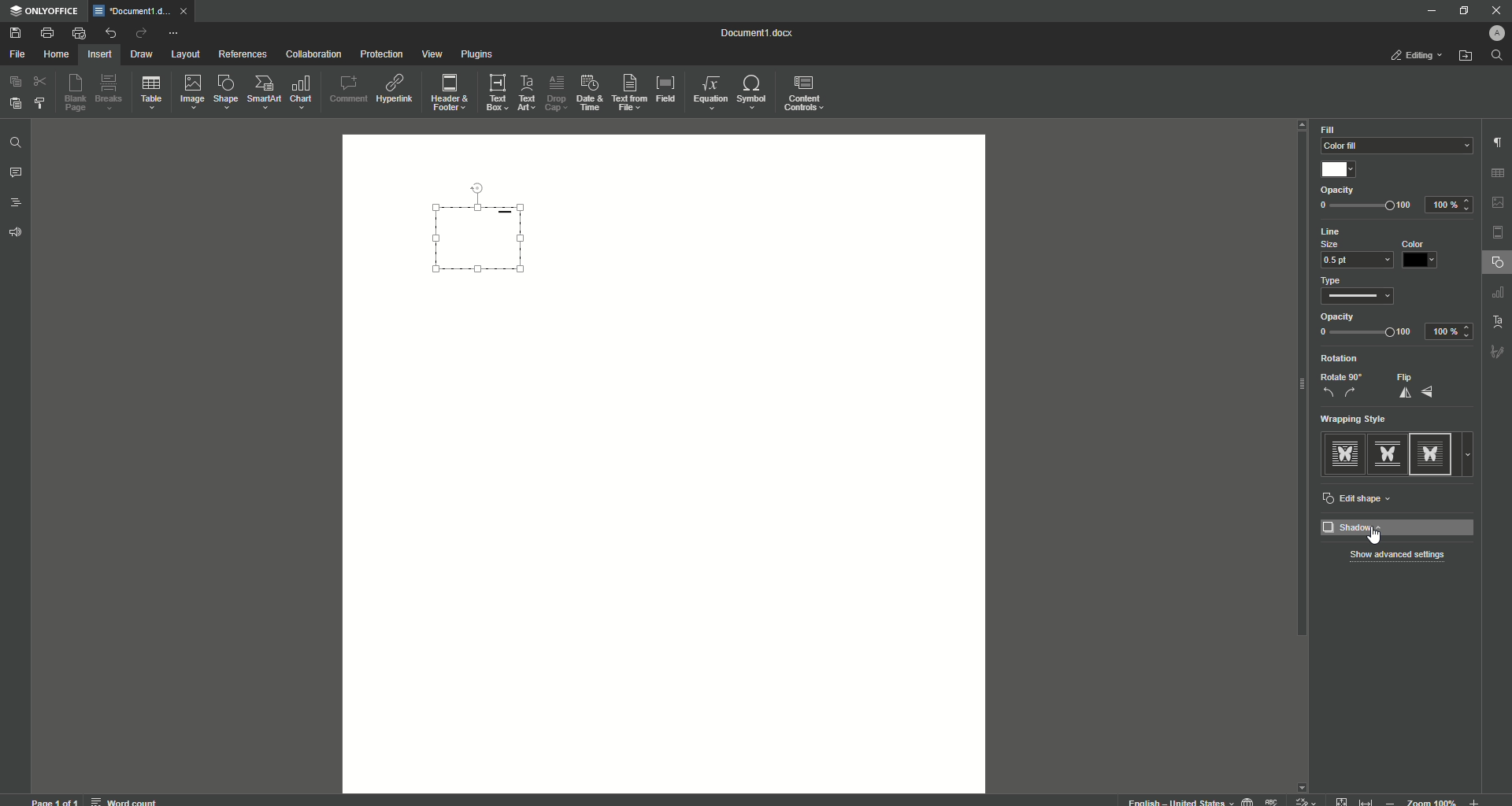 This screenshot has width=1512, height=806. Describe the element at coordinates (1427, 10) in the screenshot. I see `Minimize` at that location.